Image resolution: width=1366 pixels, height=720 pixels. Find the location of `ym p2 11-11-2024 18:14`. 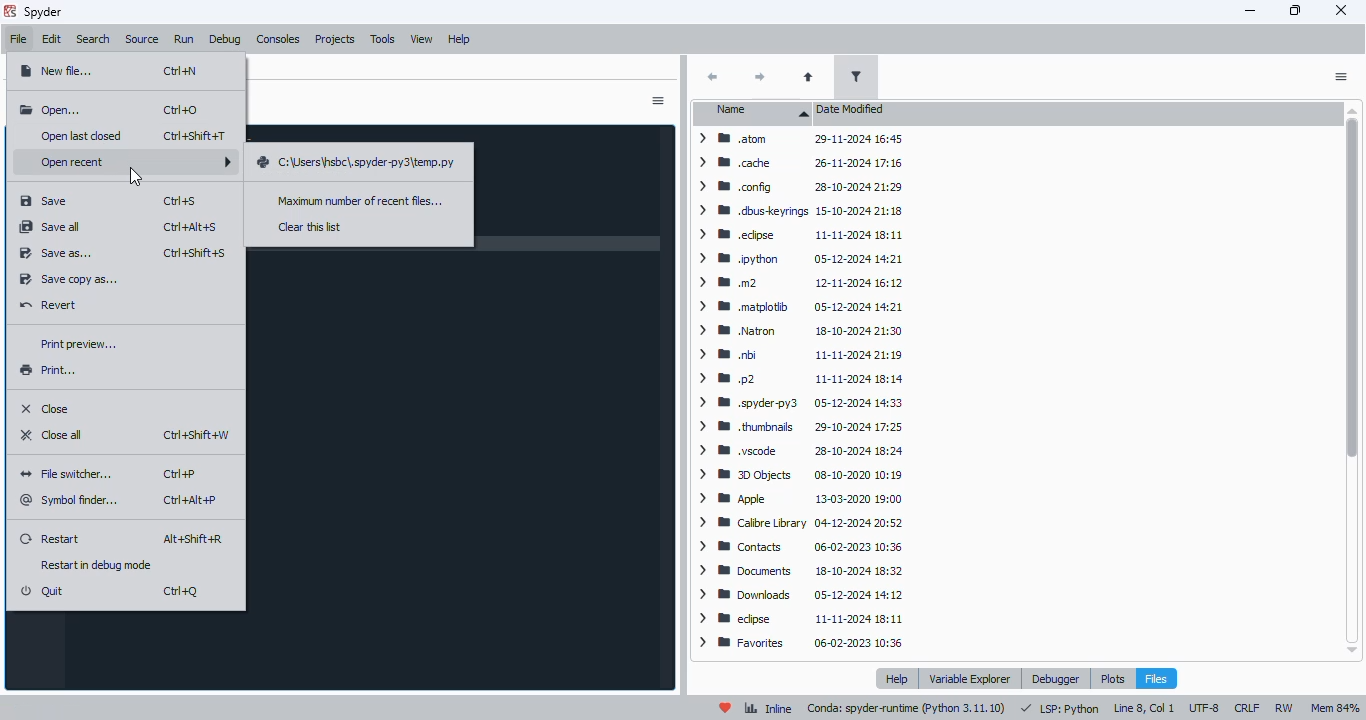

ym p2 11-11-2024 18:14 is located at coordinates (796, 376).